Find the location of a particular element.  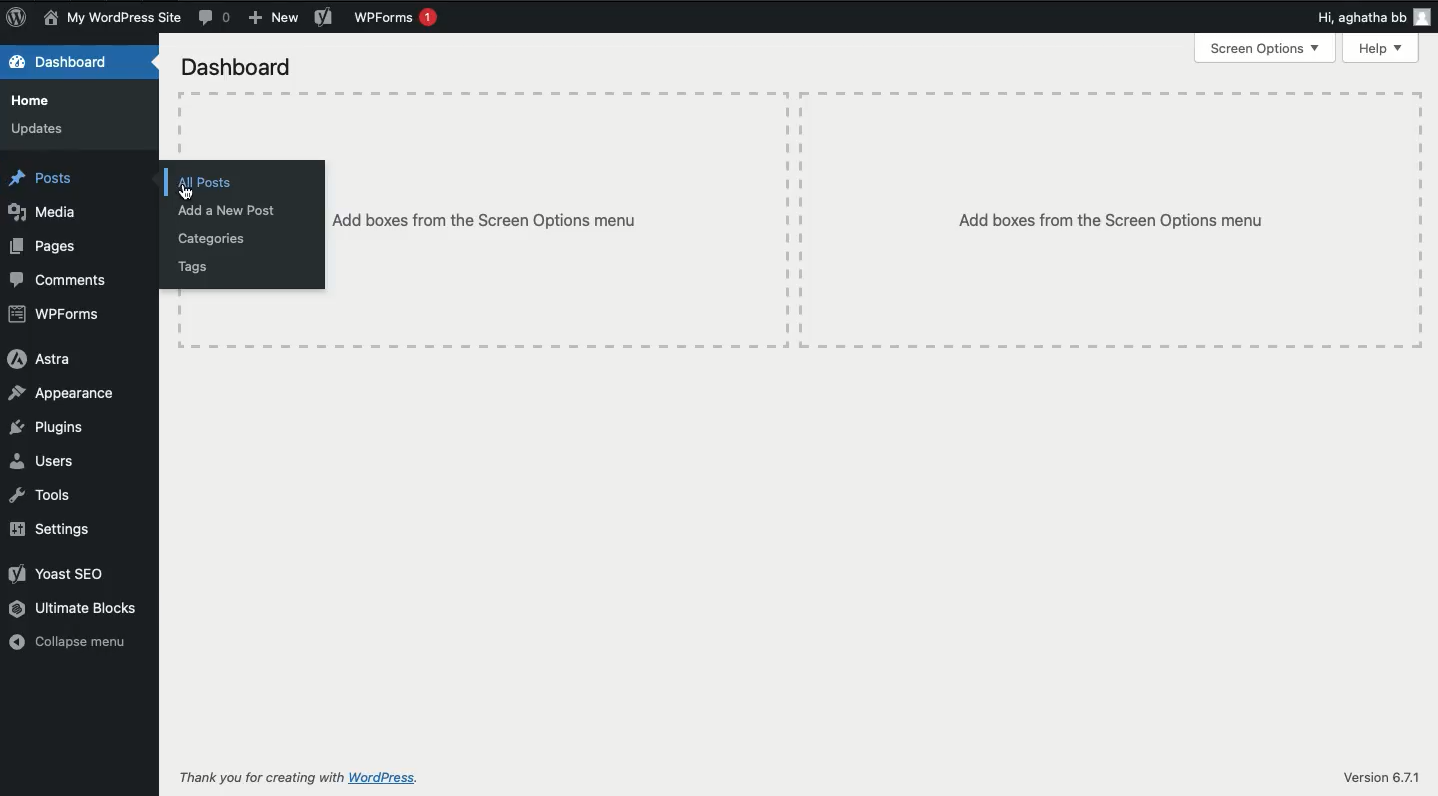

Dashboard  is located at coordinates (243, 70).